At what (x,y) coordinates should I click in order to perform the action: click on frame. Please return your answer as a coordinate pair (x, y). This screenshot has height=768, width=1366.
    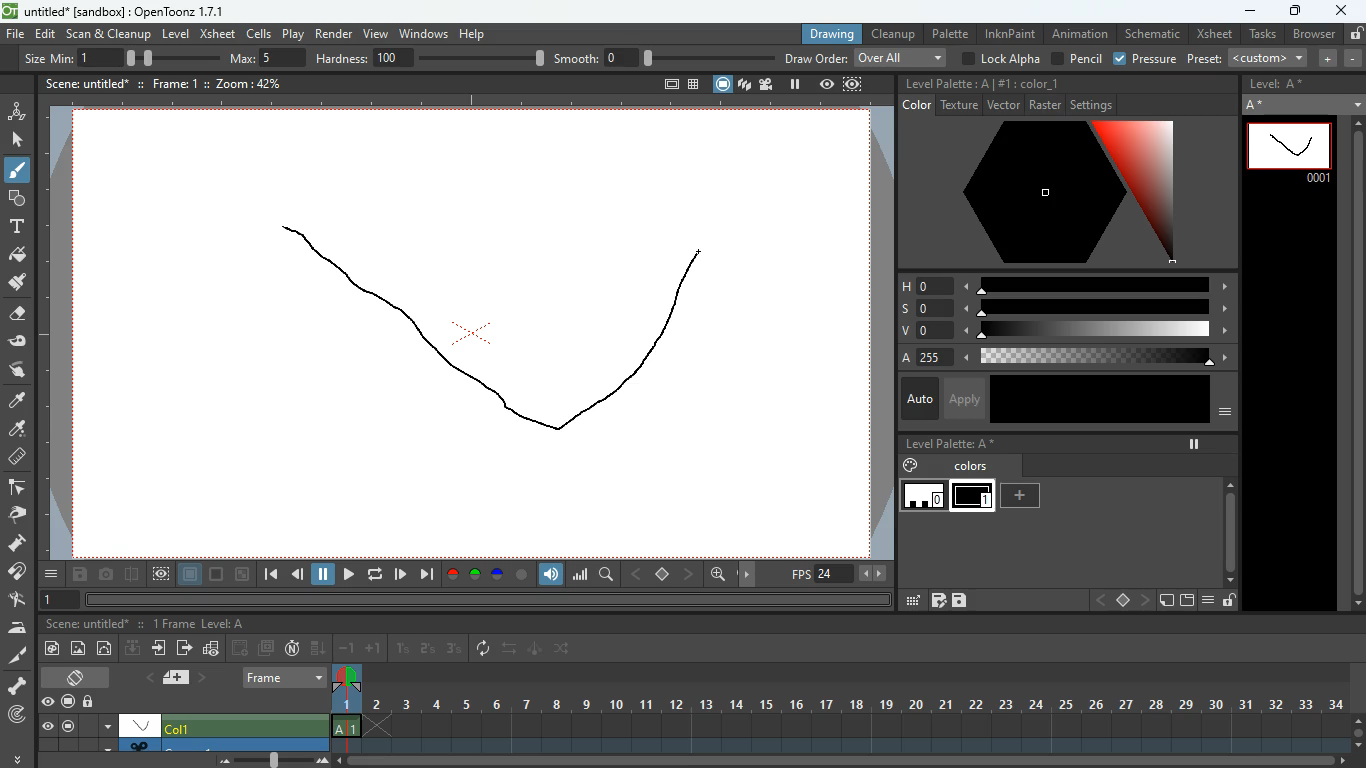
    Looking at the image, I should click on (161, 575).